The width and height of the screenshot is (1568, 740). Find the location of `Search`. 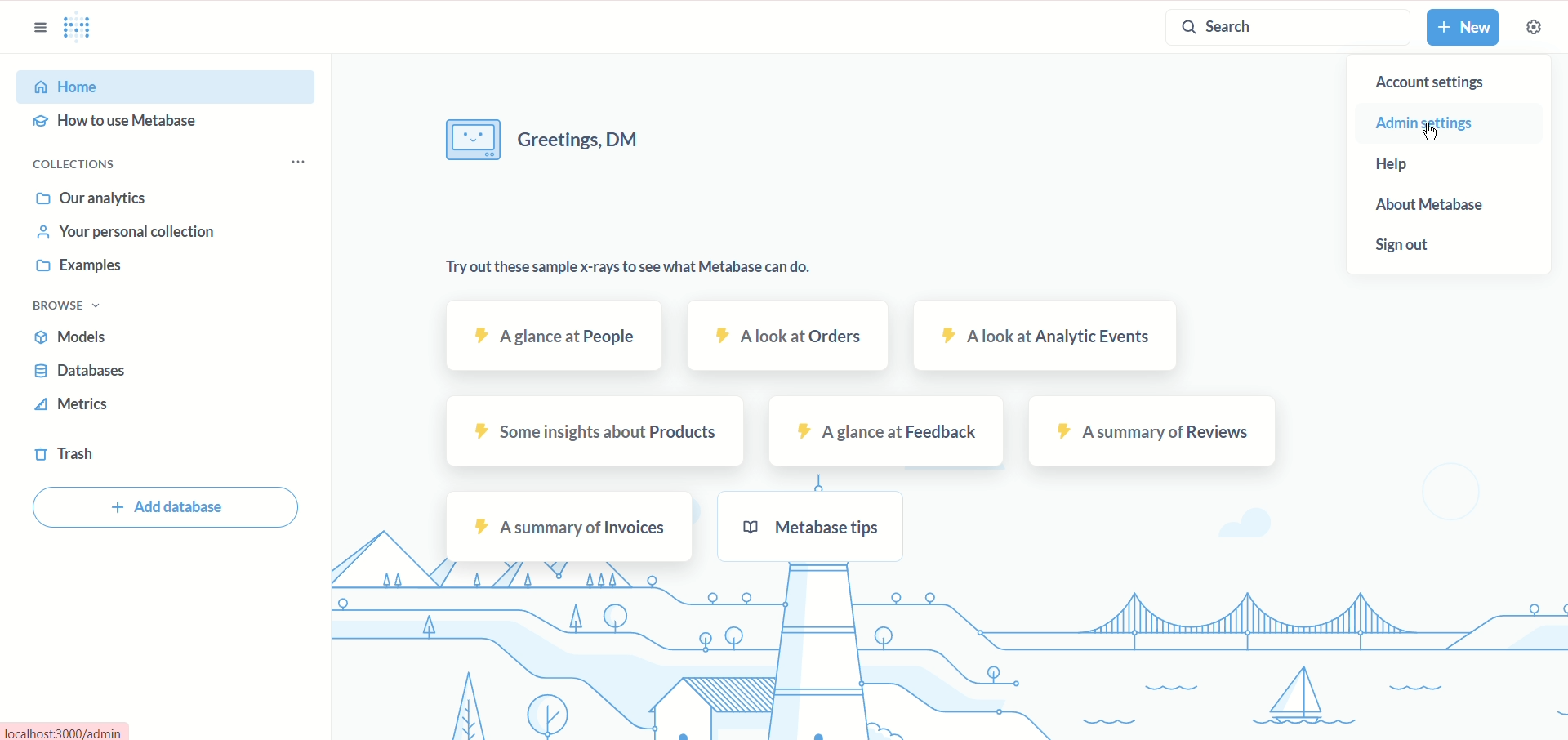

Search is located at coordinates (1272, 28).